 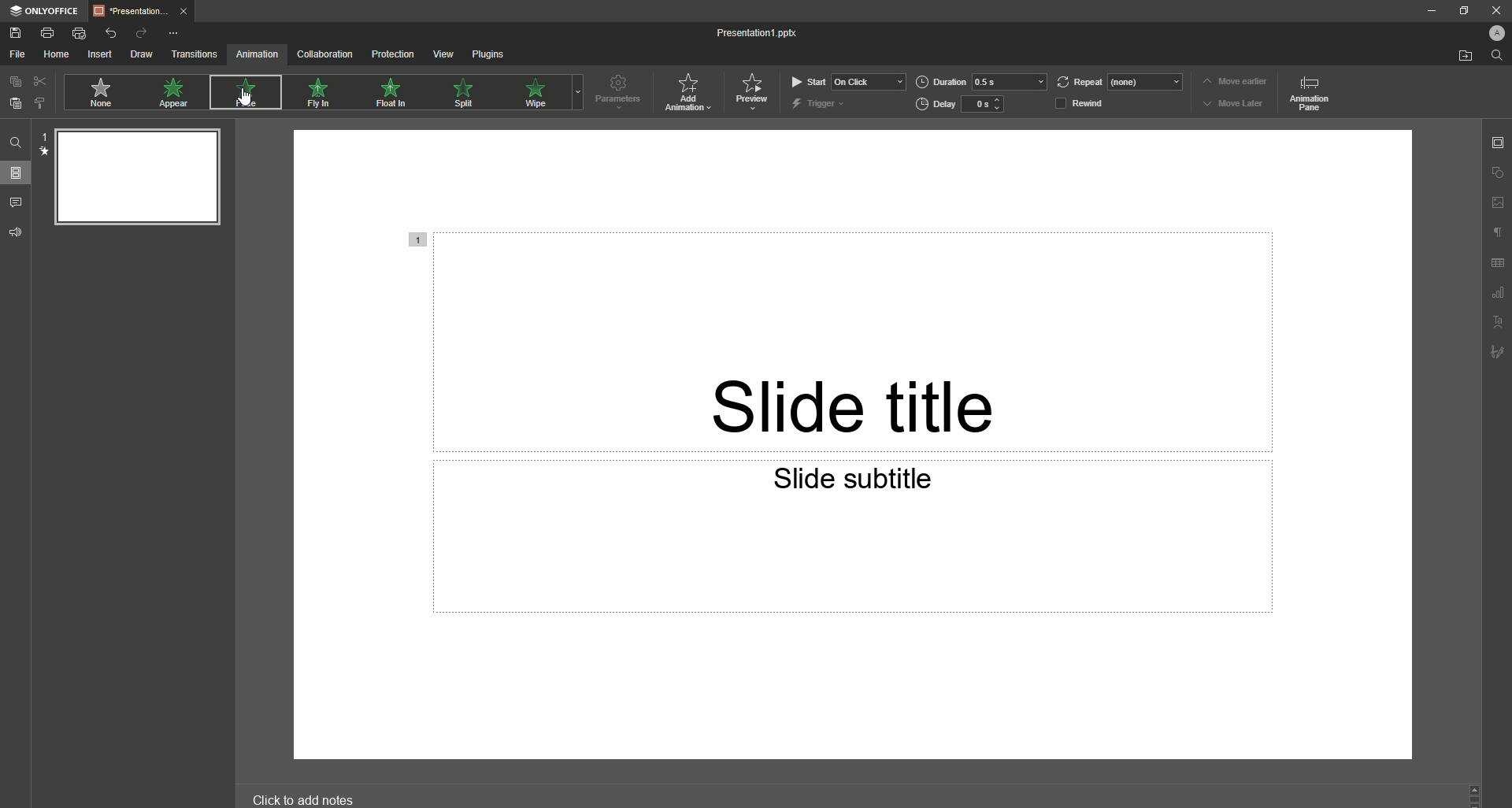 I want to click on Redo, so click(x=137, y=33).